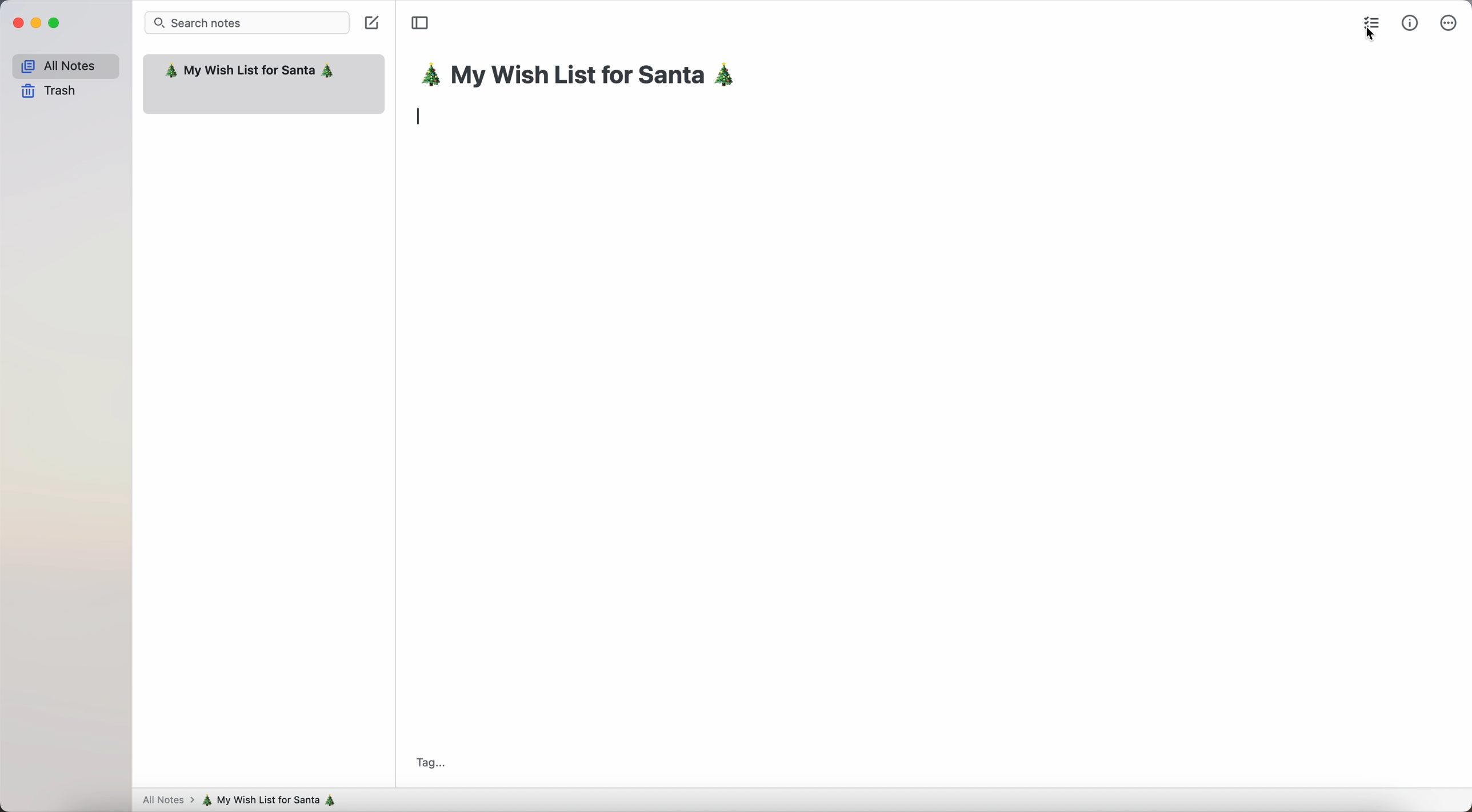 The height and width of the screenshot is (812, 1472). What do you see at coordinates (1410, 22) in the screenshot?
I see `metrics` at bounding box center [1410, 22].